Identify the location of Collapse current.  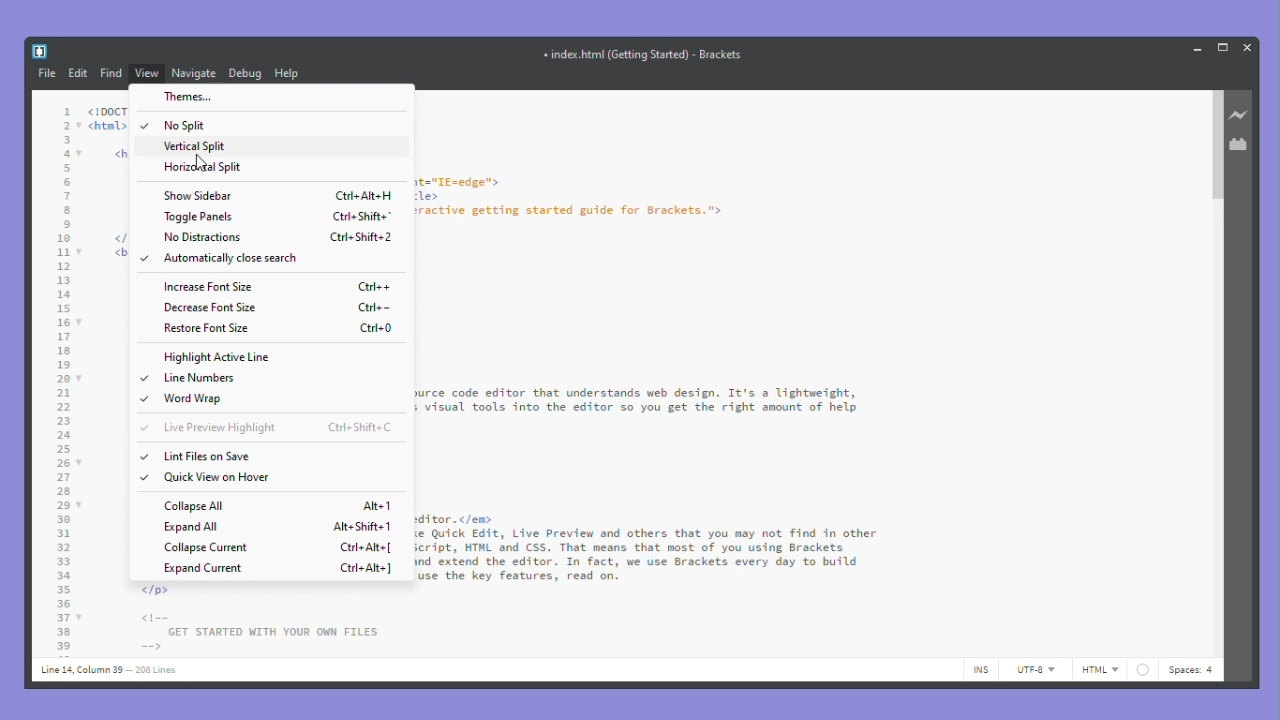
(281, 547).